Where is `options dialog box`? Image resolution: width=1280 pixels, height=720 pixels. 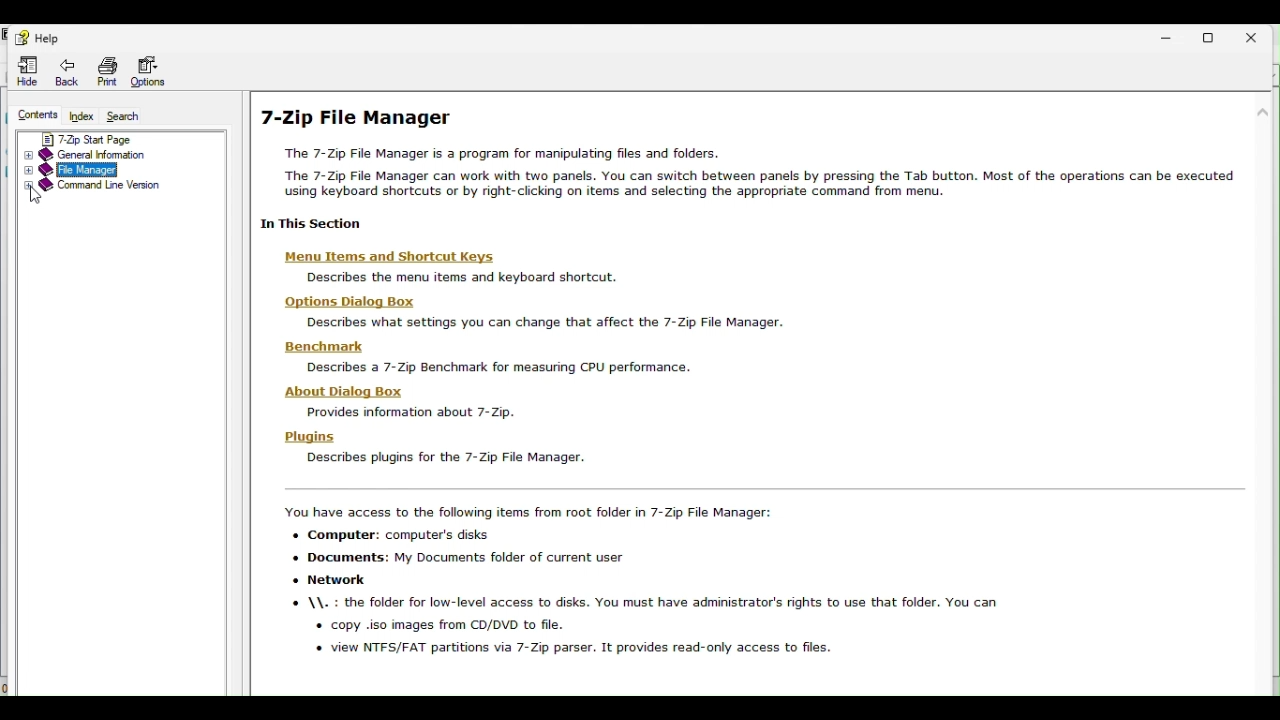 options dialog box is located at coordinates (354, 303).